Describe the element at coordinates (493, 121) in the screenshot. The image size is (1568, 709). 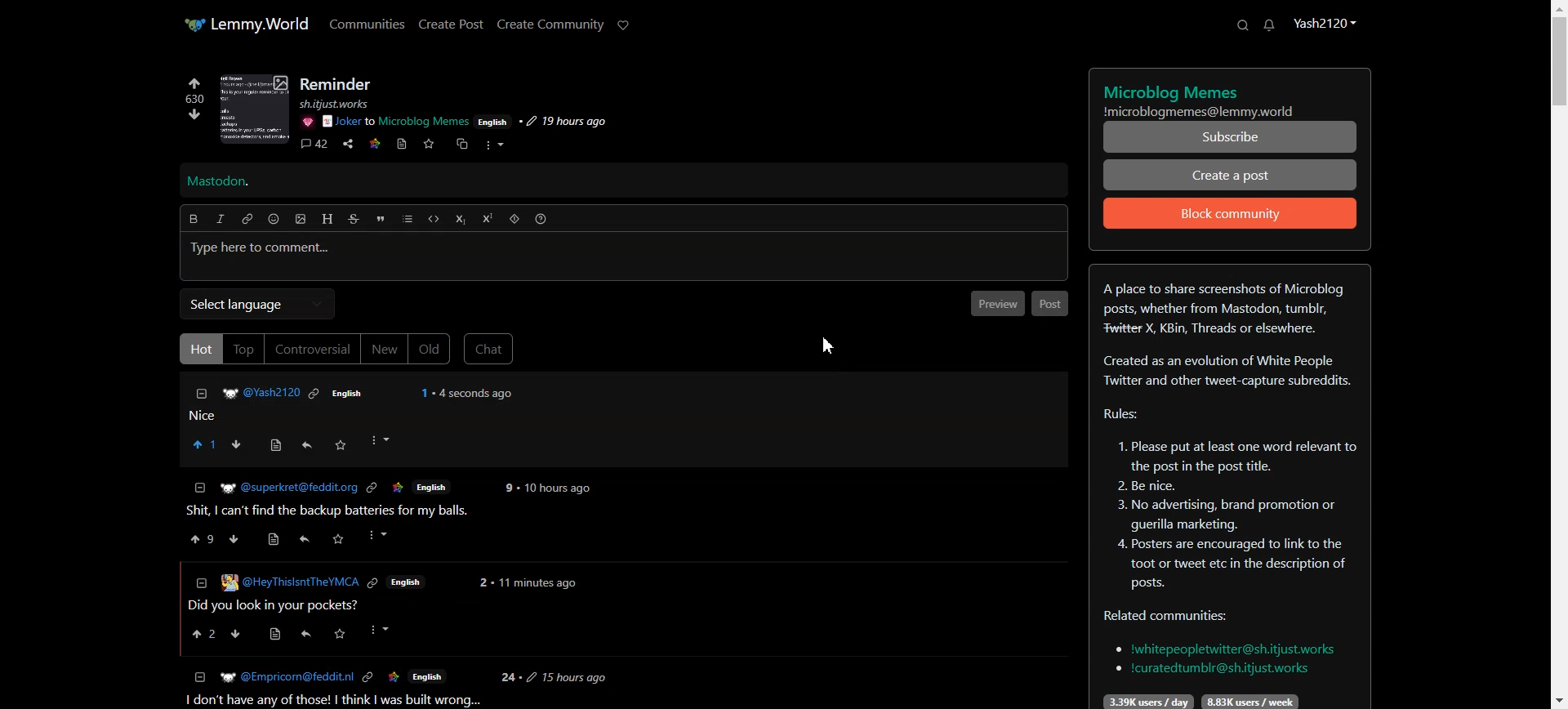
I see `` at that location.